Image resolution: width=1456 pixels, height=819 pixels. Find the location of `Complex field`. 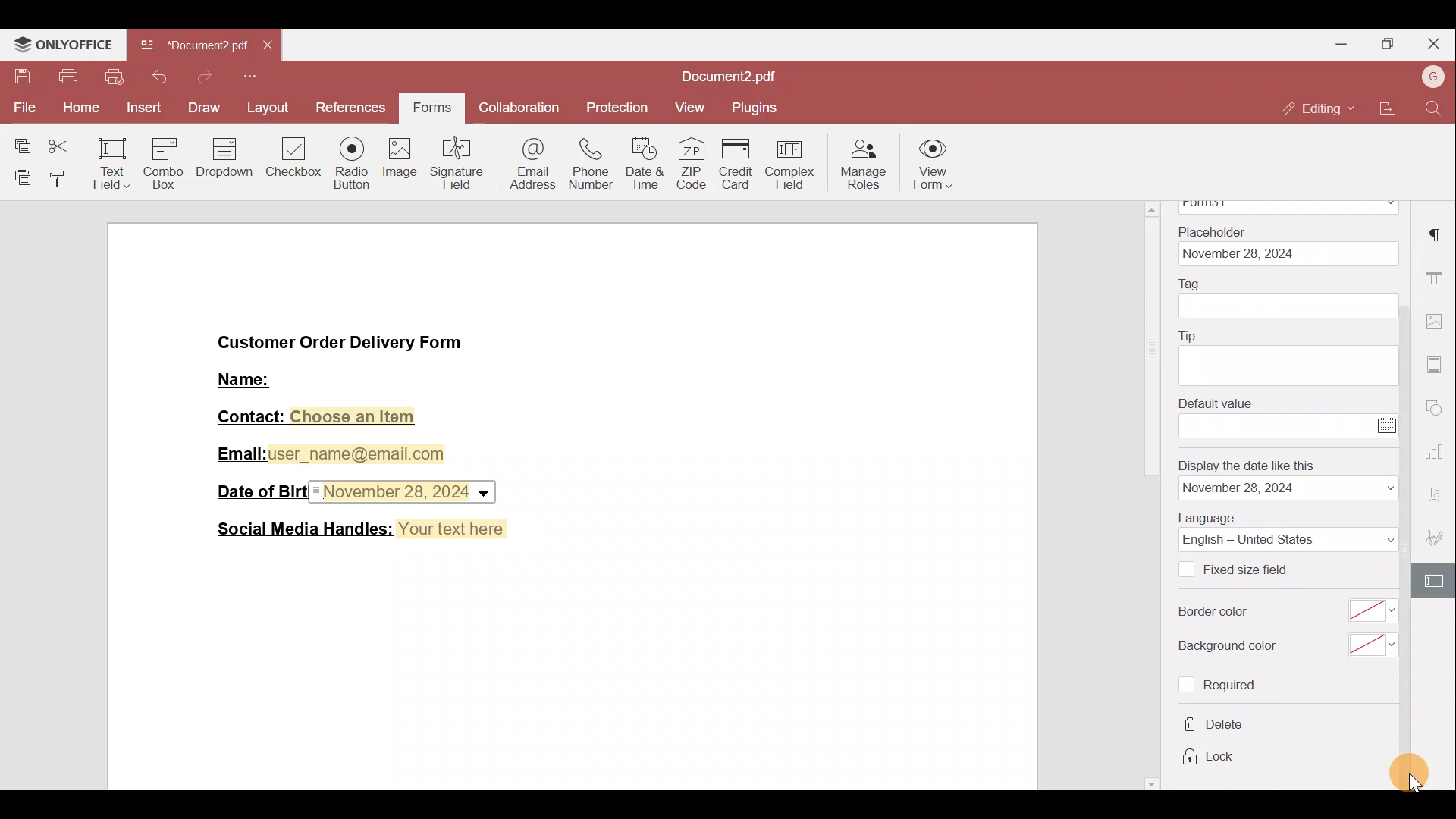

Complex field is located at coordinates (791, 165).